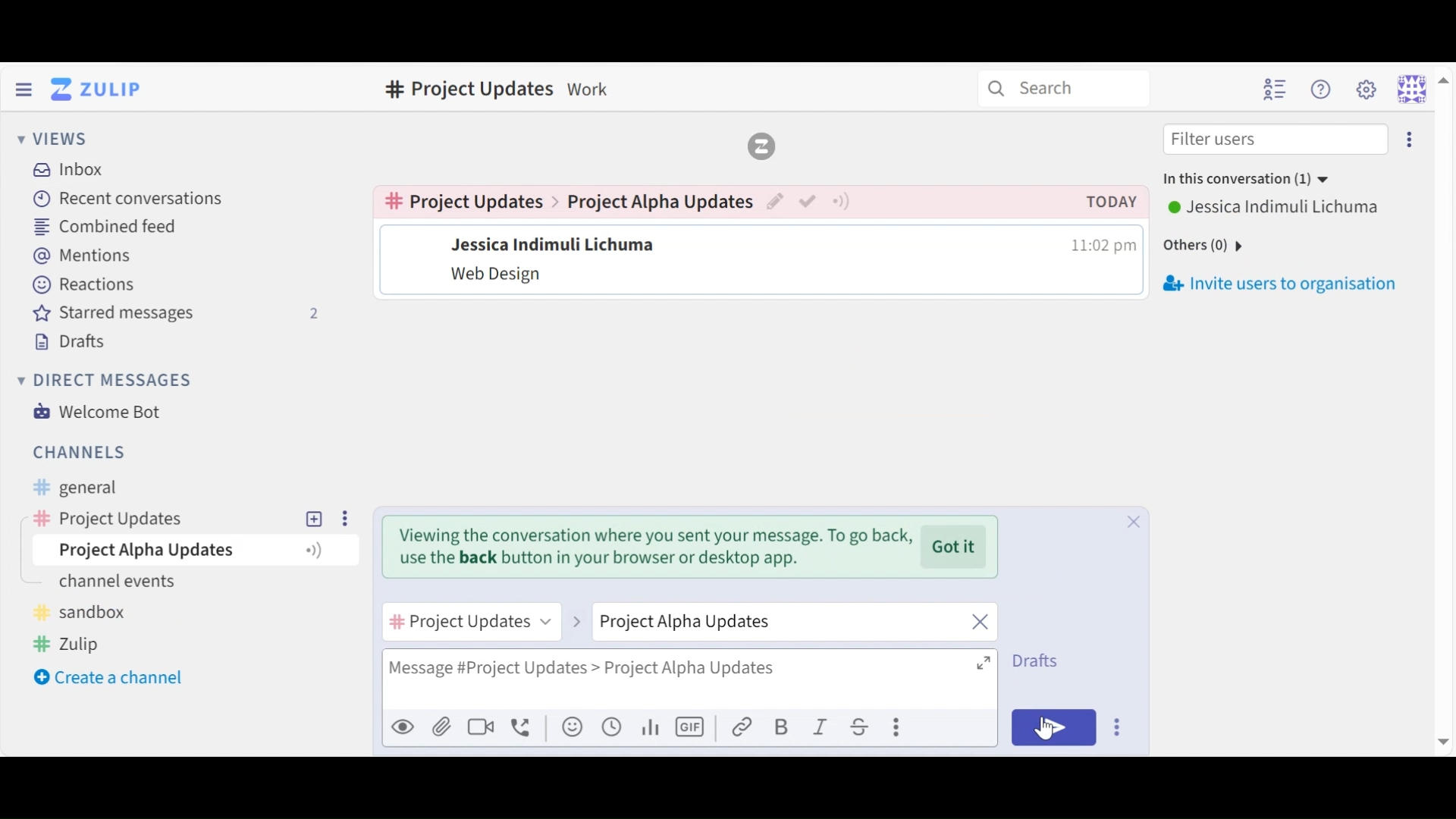 This screenshot has height=819, width=1456. I want to click on Time, so click(1105, 245).